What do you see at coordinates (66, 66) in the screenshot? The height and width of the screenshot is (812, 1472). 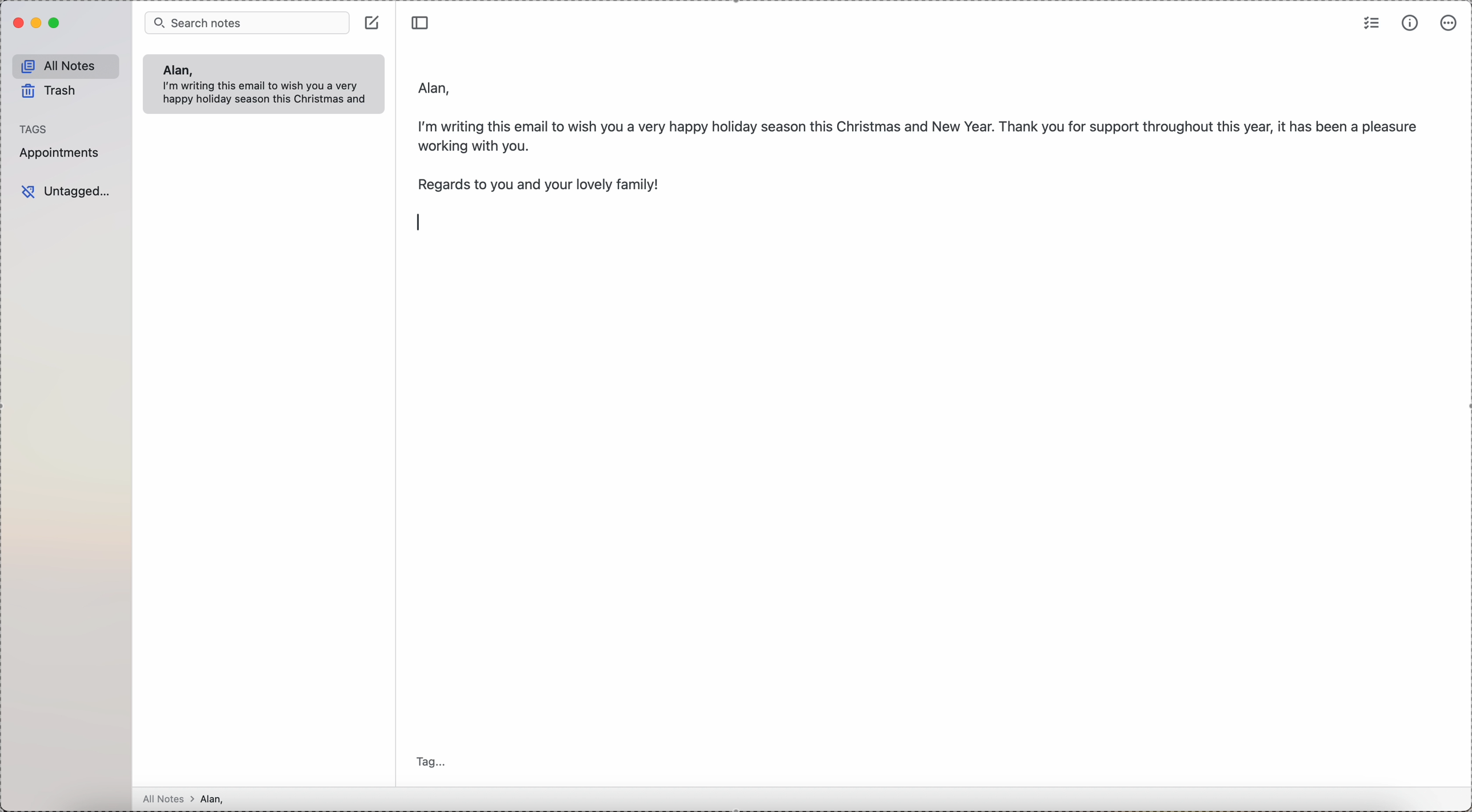 I see `all notes` at bounding box center [66, 66].